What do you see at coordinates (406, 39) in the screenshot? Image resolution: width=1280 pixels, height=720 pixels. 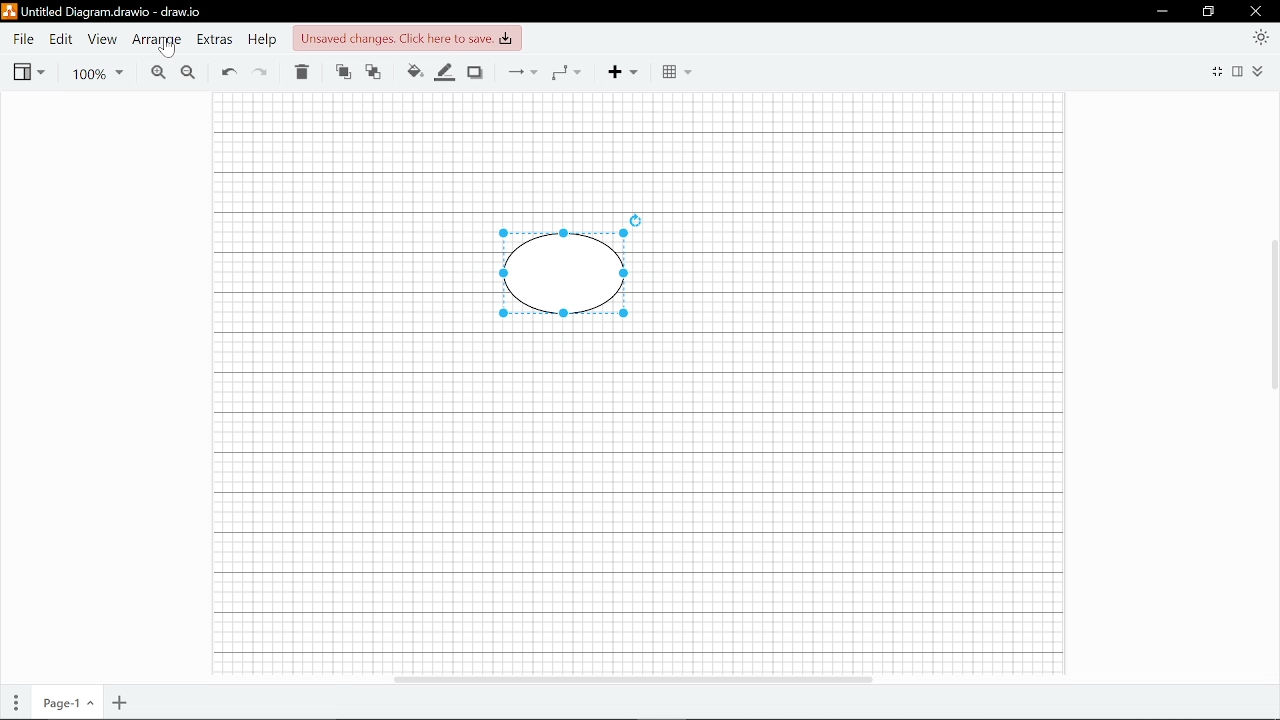 I see `Unsaved images, click here to save` at bounding box center [406, 39].